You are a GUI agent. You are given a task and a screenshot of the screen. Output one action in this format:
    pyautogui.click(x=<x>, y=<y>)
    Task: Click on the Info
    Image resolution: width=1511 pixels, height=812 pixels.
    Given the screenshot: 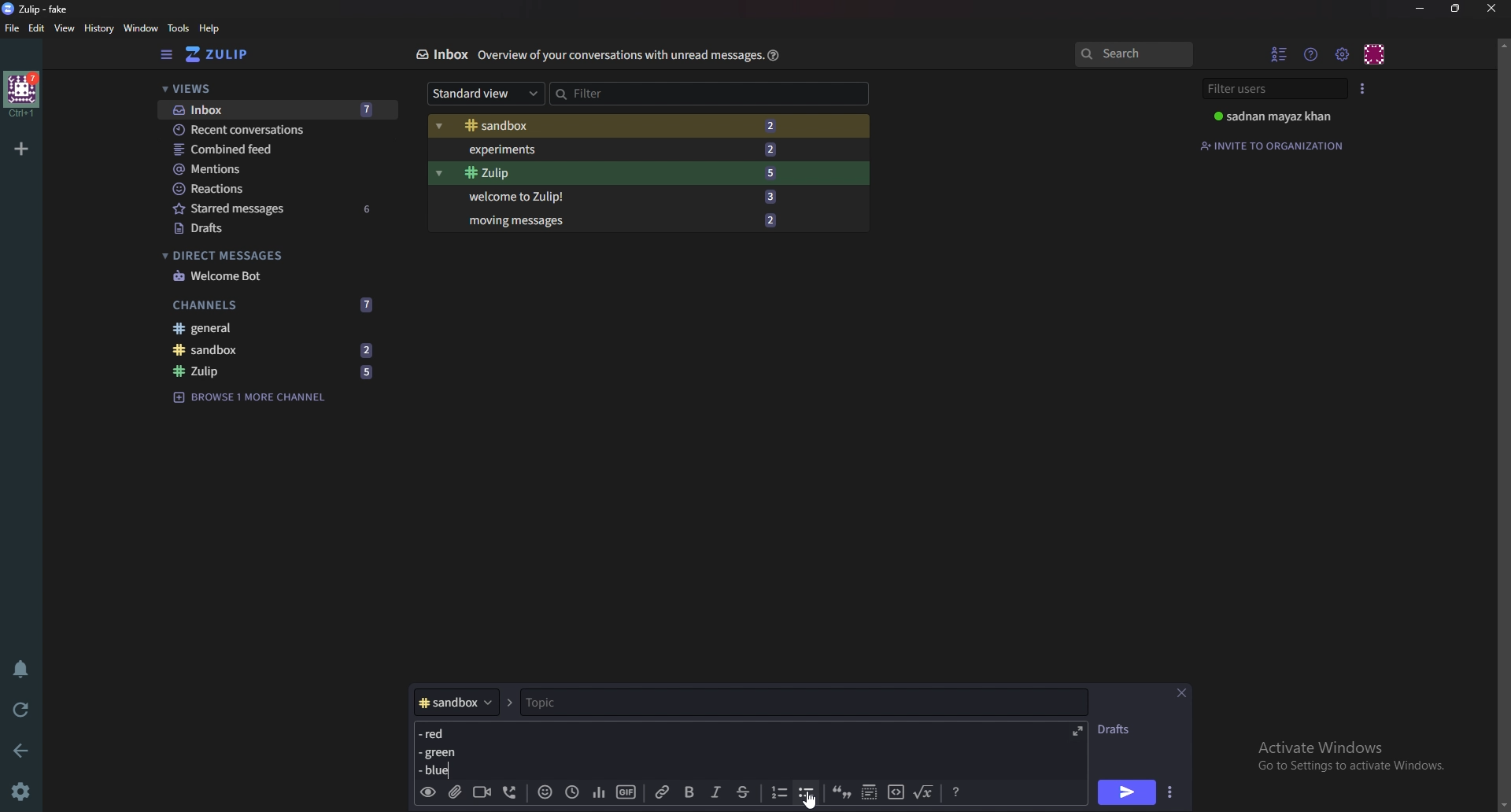 What is the action you would take?
    pyautogui.click(x=620, y=54)
    